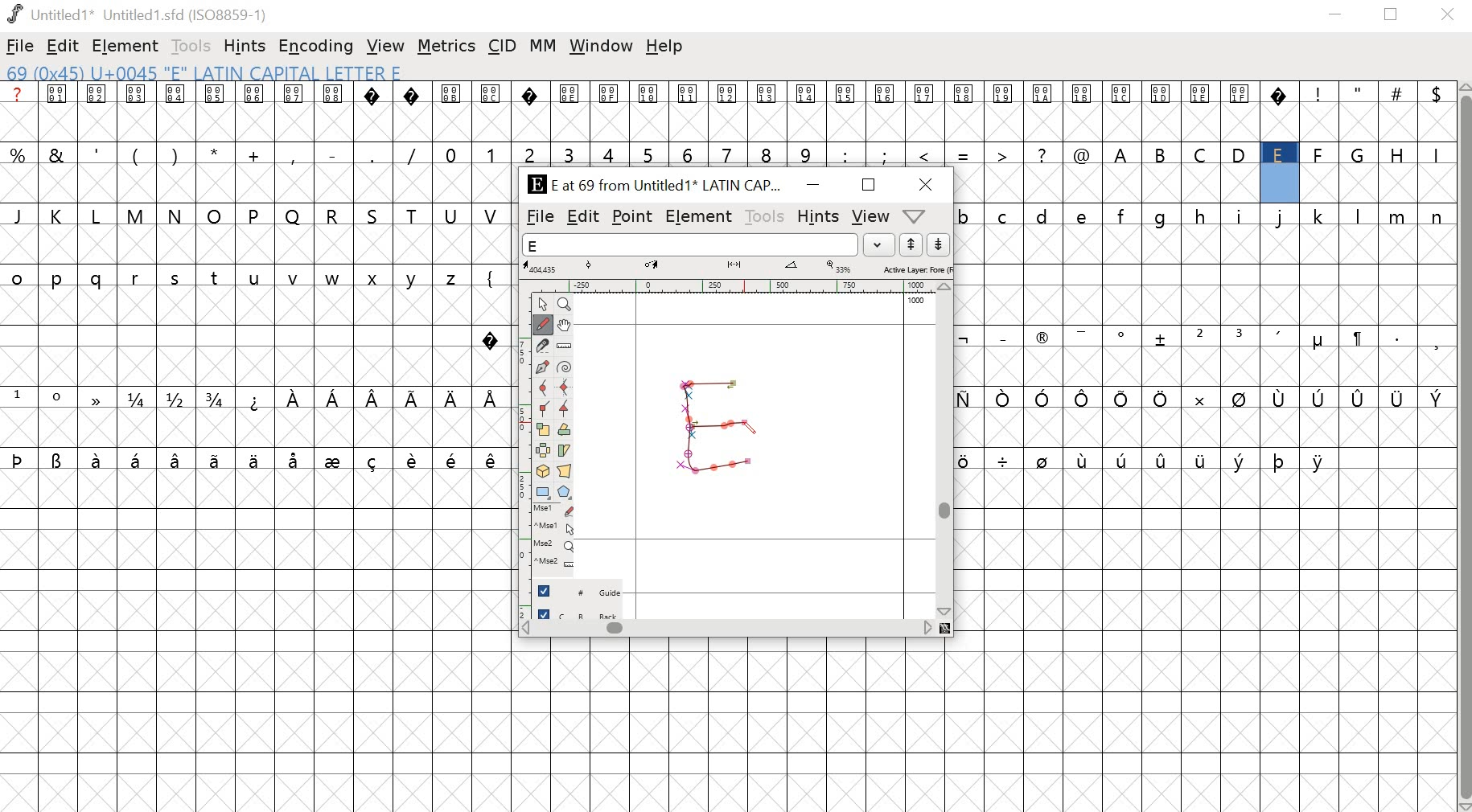 The height and width of the screenshot is (812, 1472). What do you see at coordinates (818, 216) in the screenshot?
I see `hints` at bounding box center [818, 216].